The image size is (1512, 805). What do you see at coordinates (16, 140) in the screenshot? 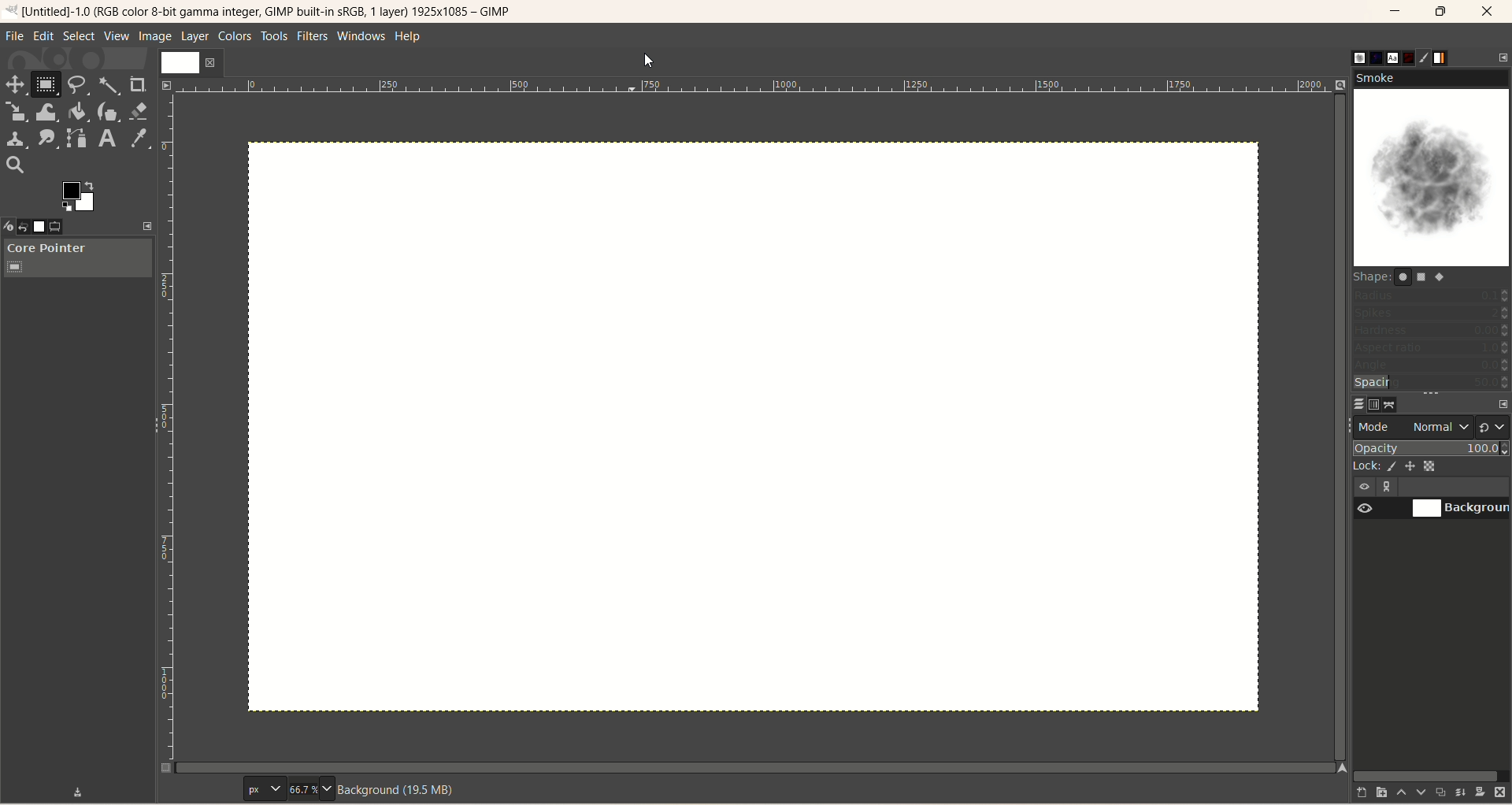
I see `clone tool` at bounding box center [16, 140].